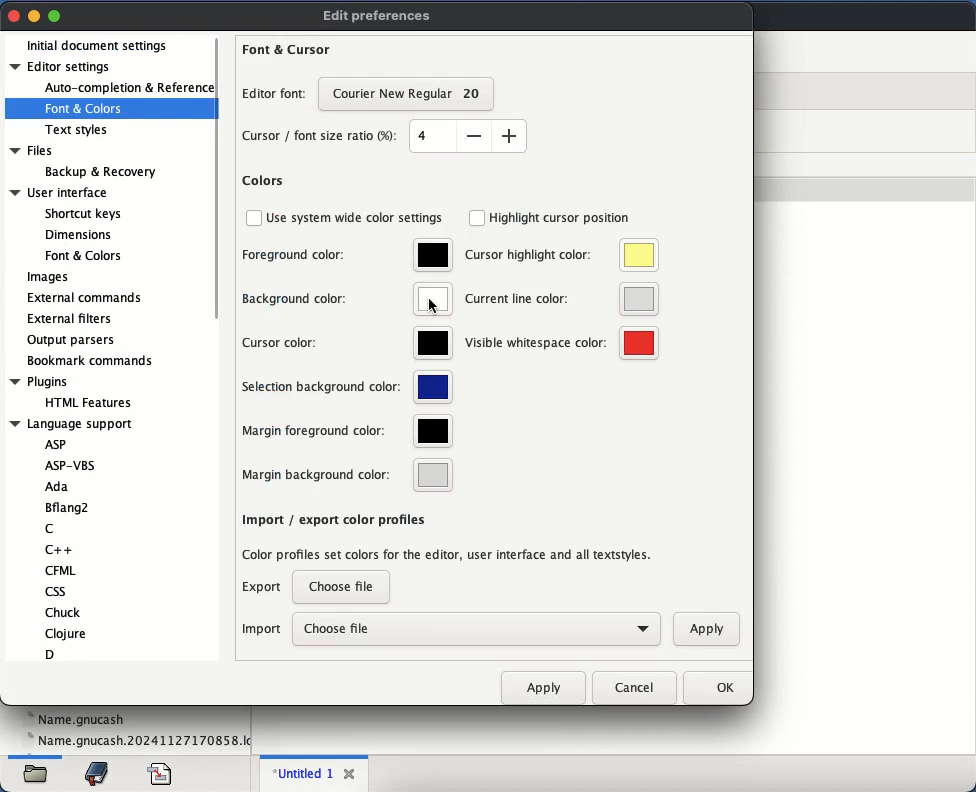 Image resolution: width=976 pixels, height=792 pixels. I want to click on choose file, so click(477, 628).